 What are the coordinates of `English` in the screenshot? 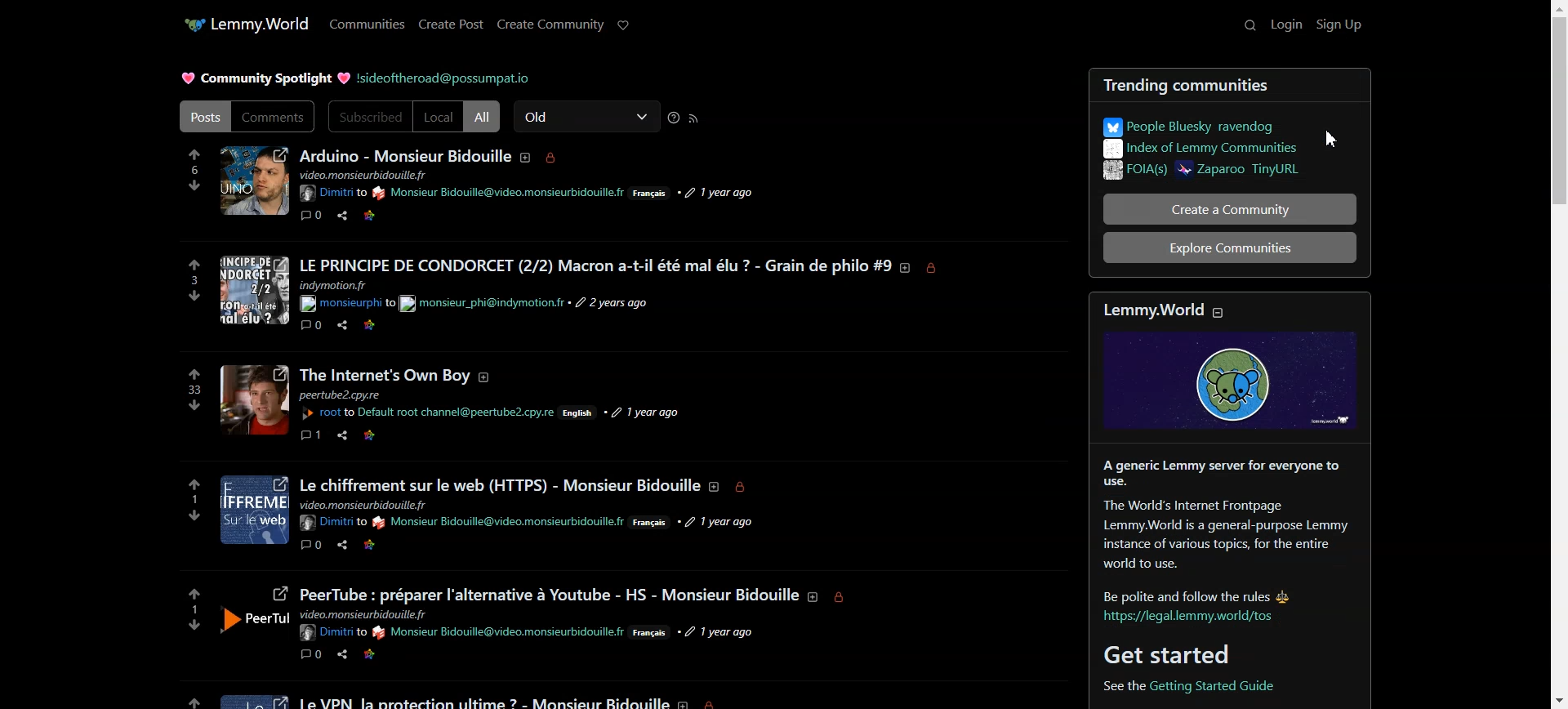 It's located at (581, 414).